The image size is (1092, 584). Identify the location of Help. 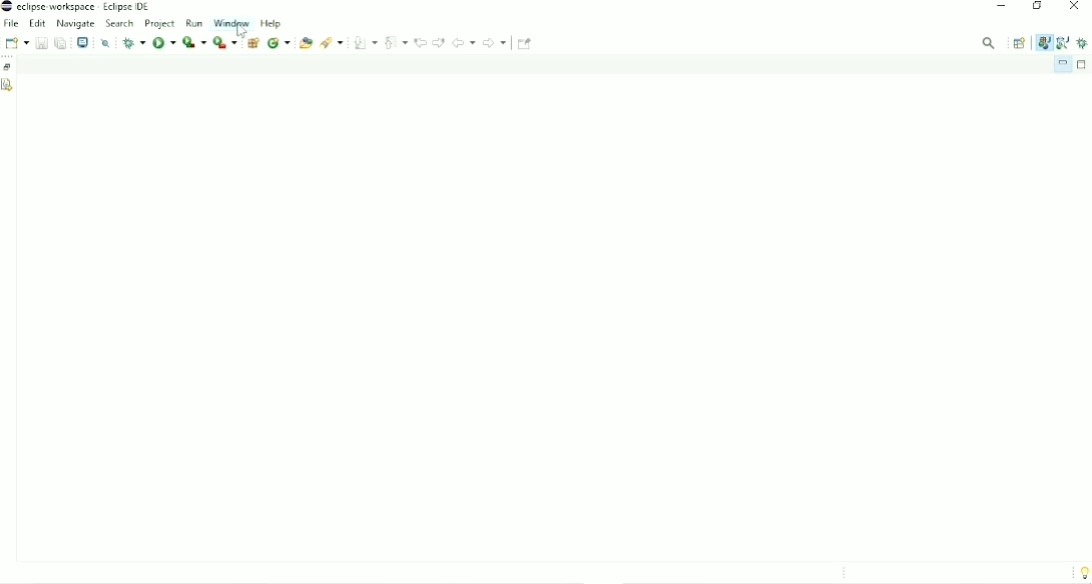
(271, 23).